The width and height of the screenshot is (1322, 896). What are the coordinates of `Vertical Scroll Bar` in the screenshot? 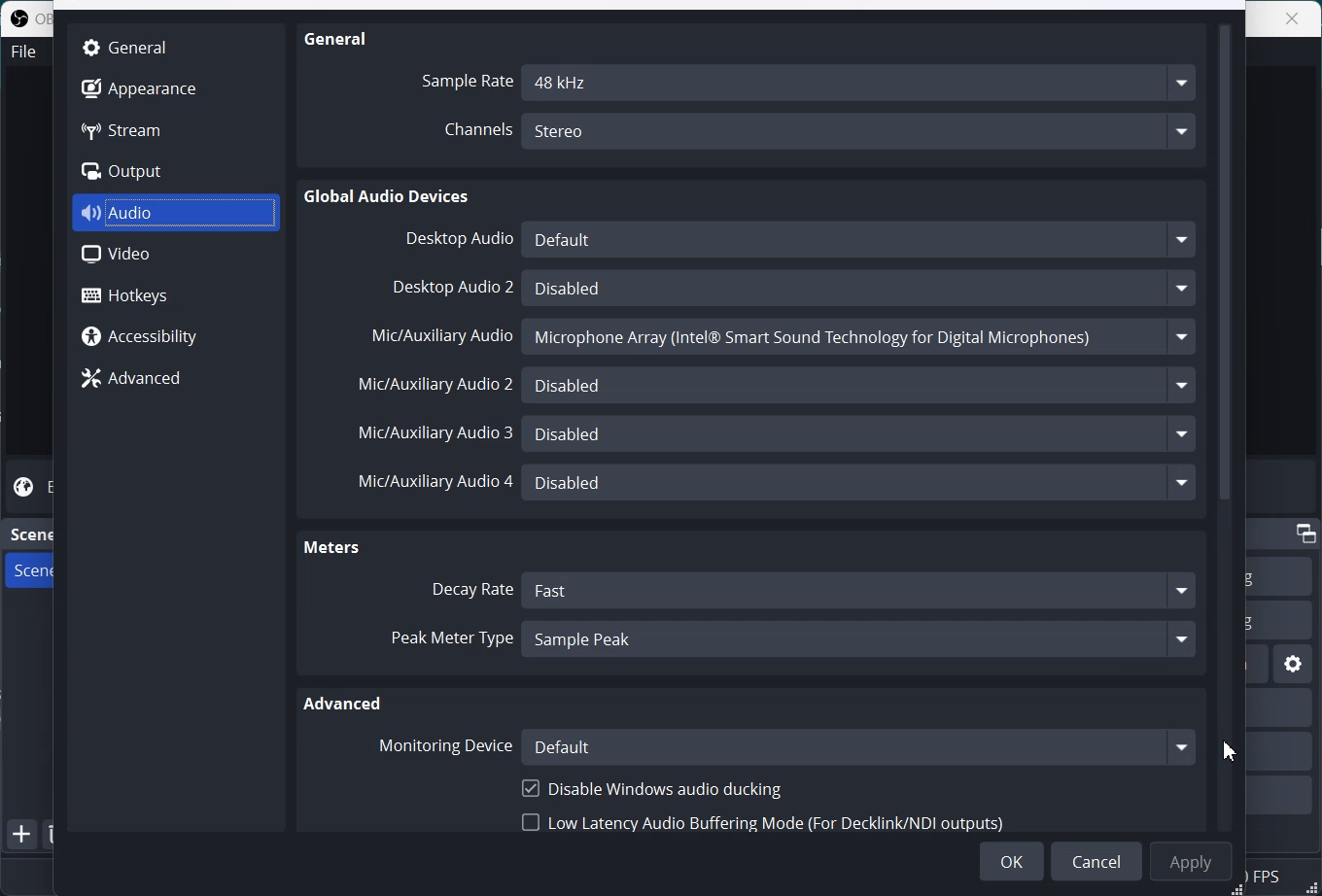 It's located at (1227, 425).